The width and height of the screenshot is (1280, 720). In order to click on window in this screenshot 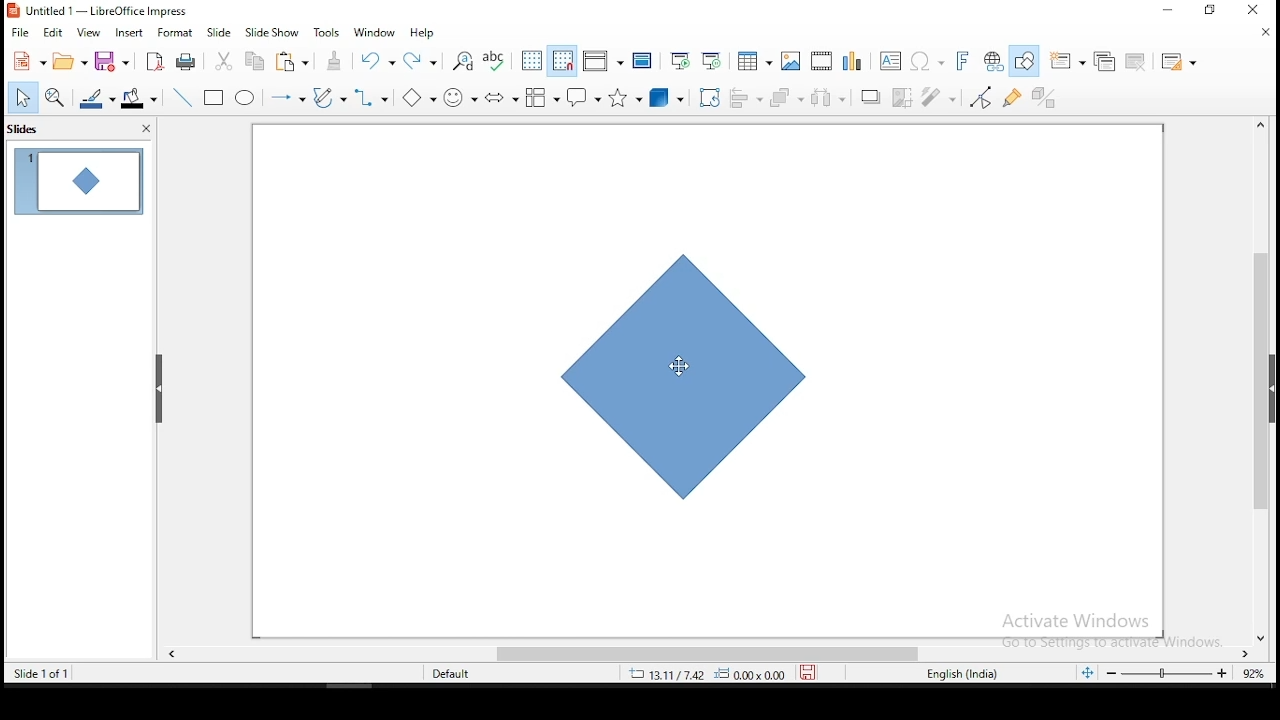, I will do `click(375, 31)`.